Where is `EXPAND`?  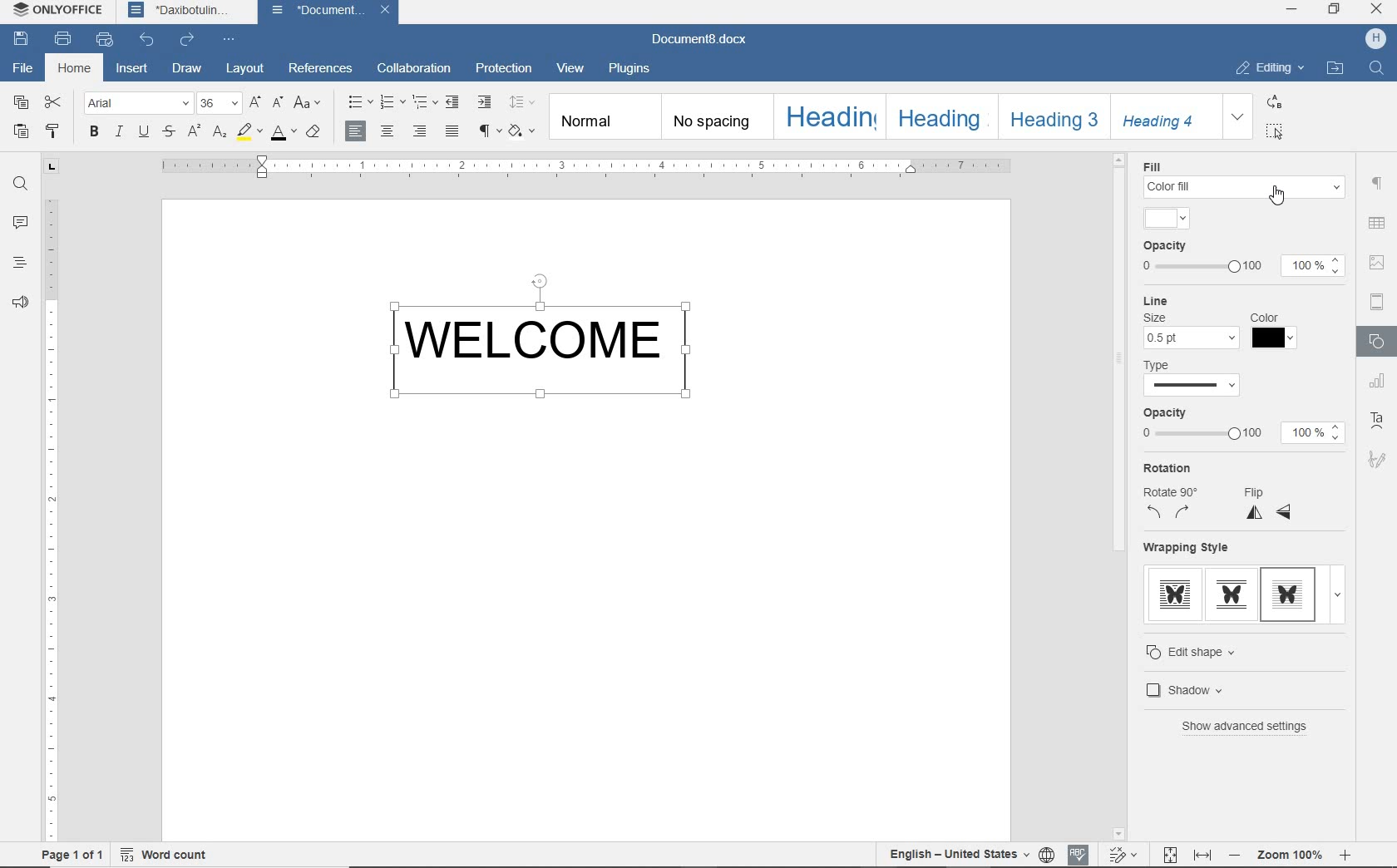
EXPAND is located at coordinates (1239, 116).